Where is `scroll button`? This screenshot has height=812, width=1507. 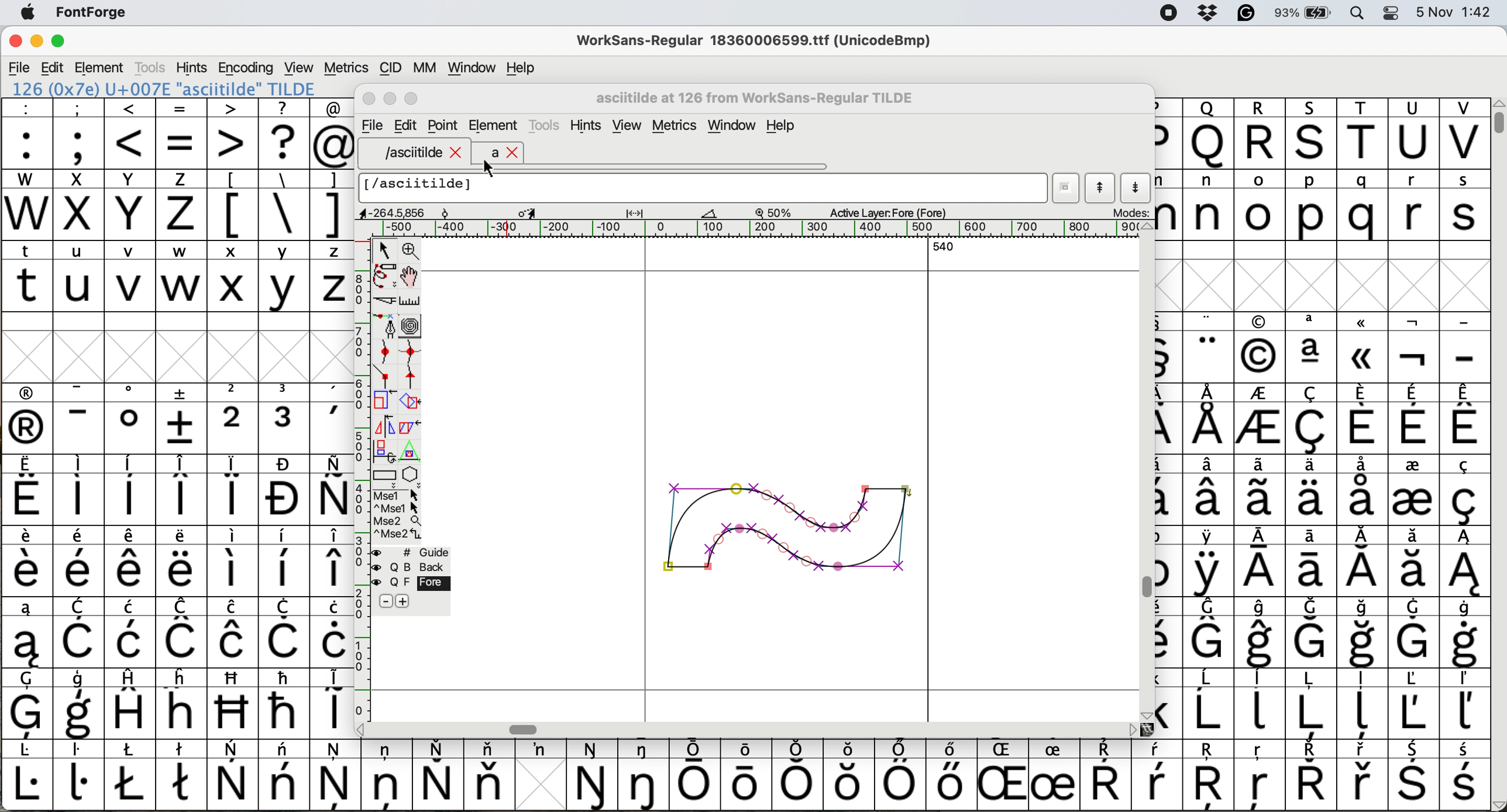 scroll button is located at coordinates (1133, 729).